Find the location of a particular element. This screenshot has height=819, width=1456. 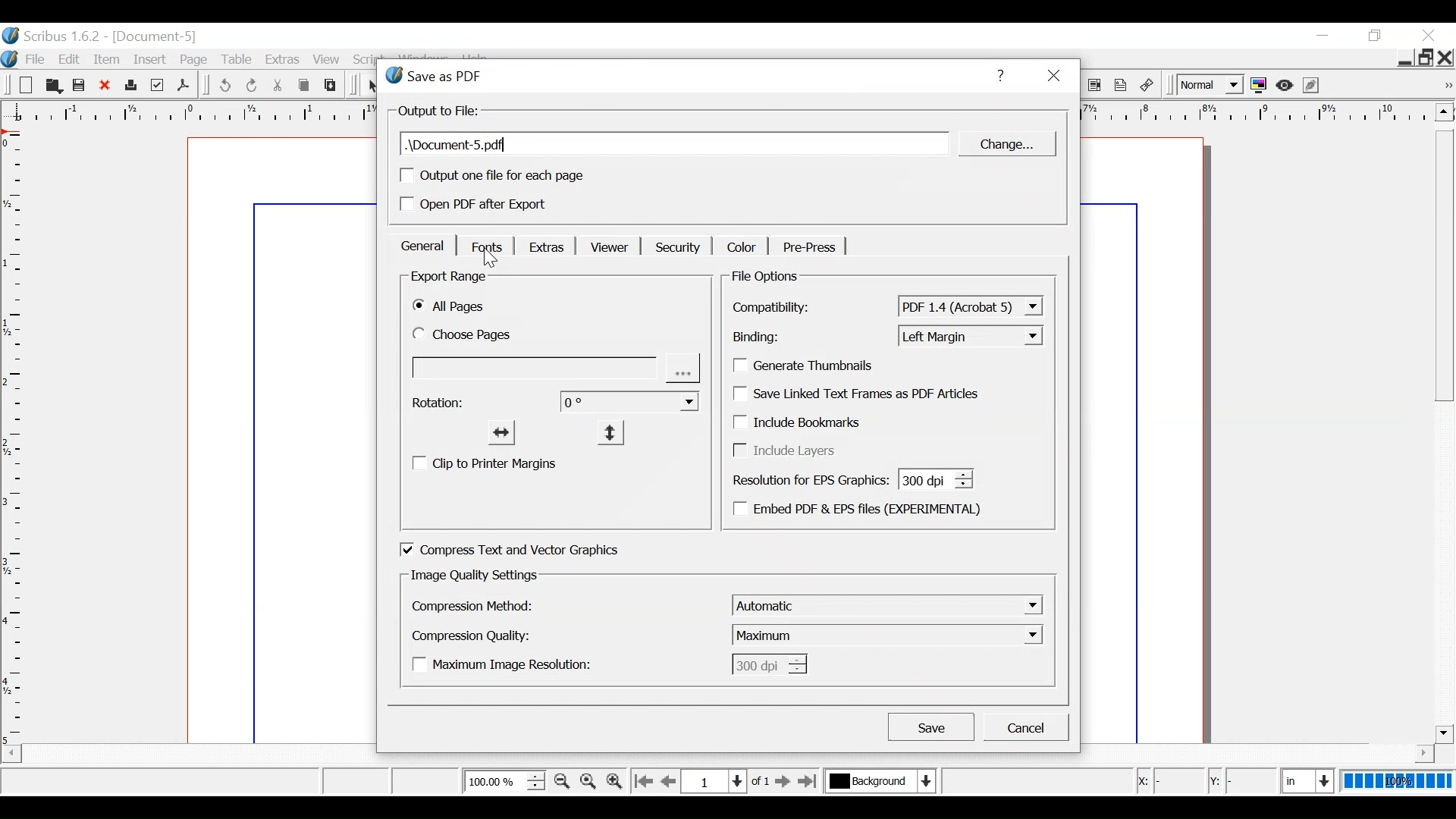

Open is located at coordinates (52, 86).